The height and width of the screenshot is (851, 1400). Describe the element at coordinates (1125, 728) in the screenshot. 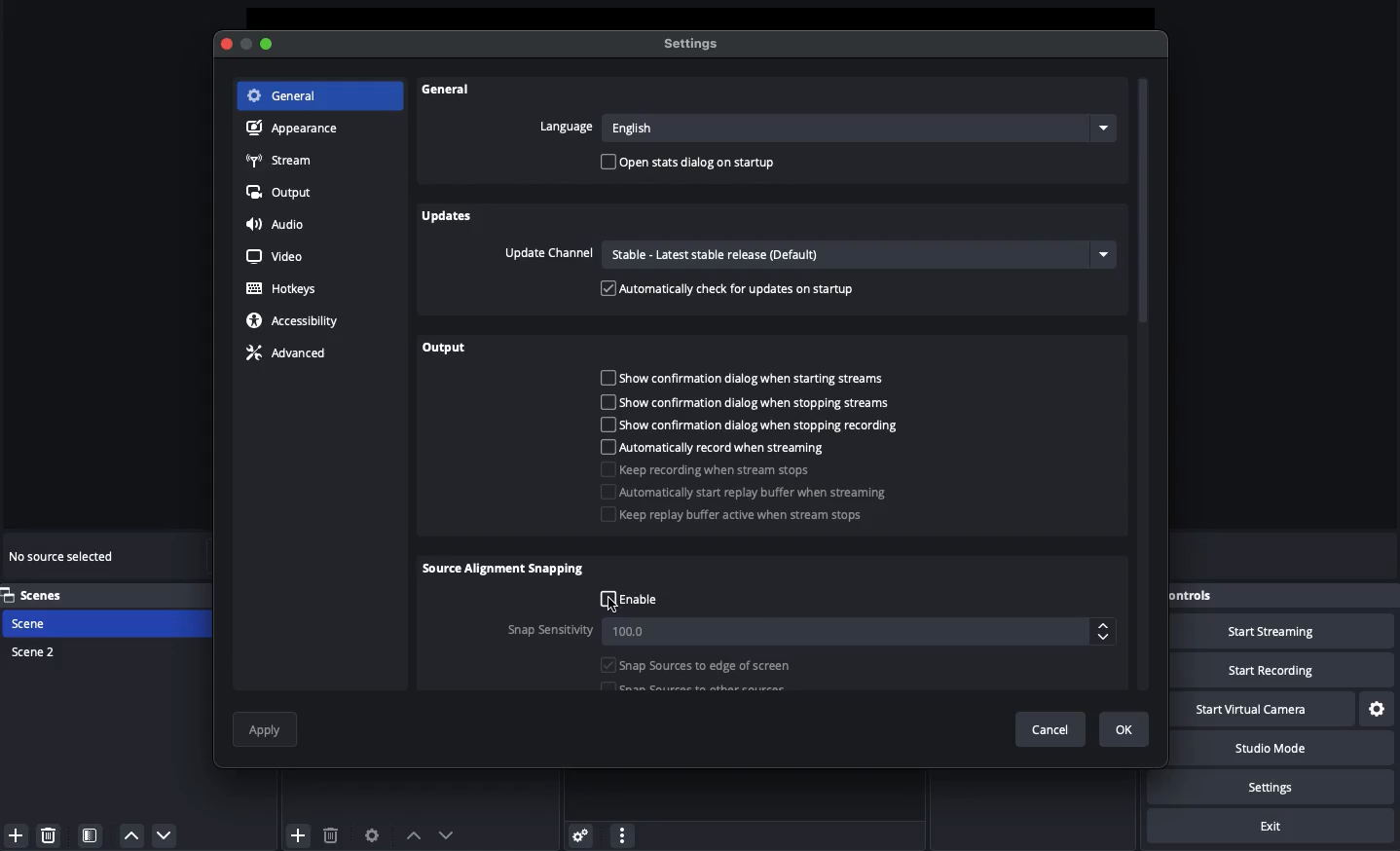

I see `Ok` at that location.